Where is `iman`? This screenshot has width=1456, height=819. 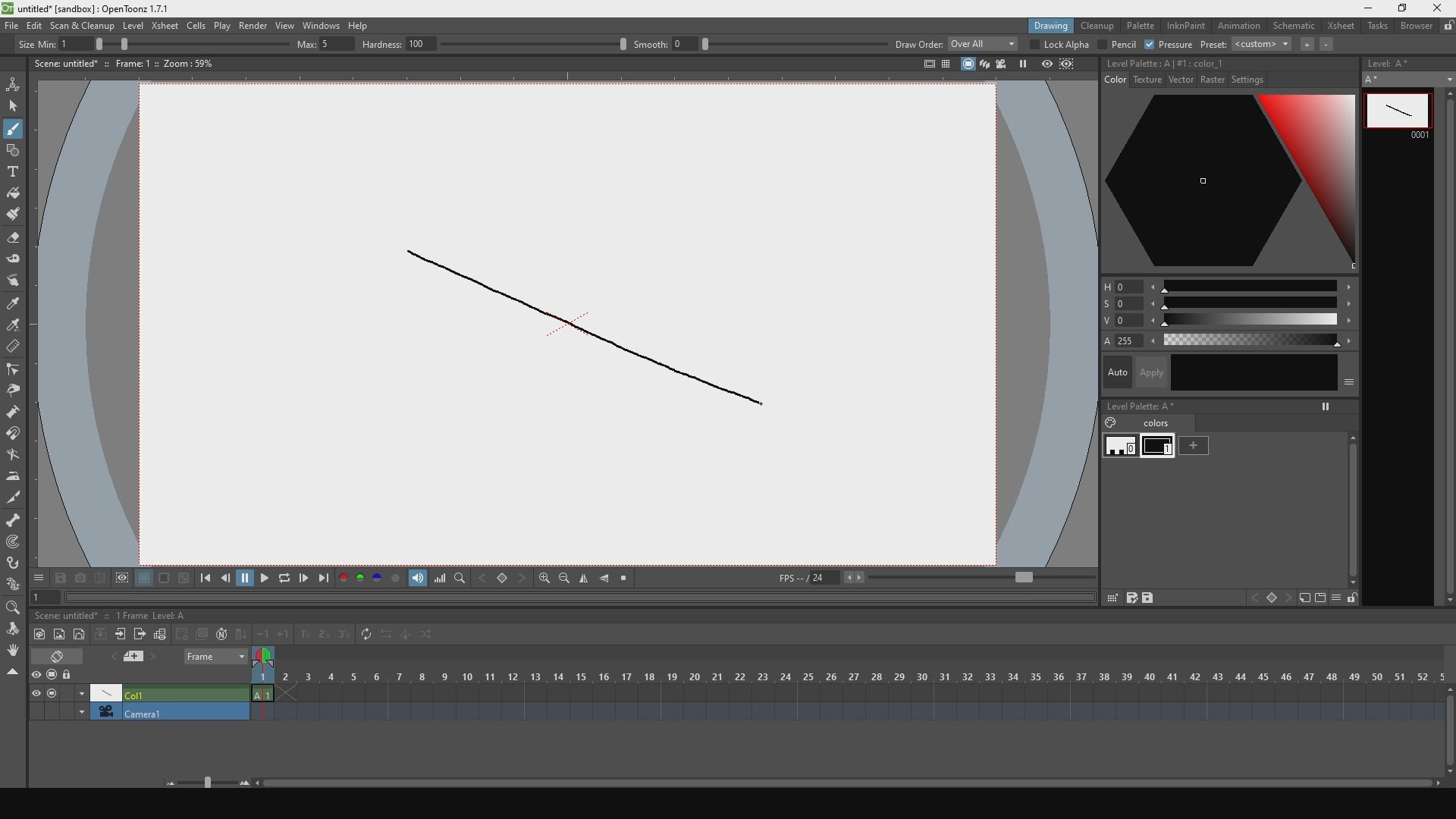
iman is located at coordinates (17, 436).